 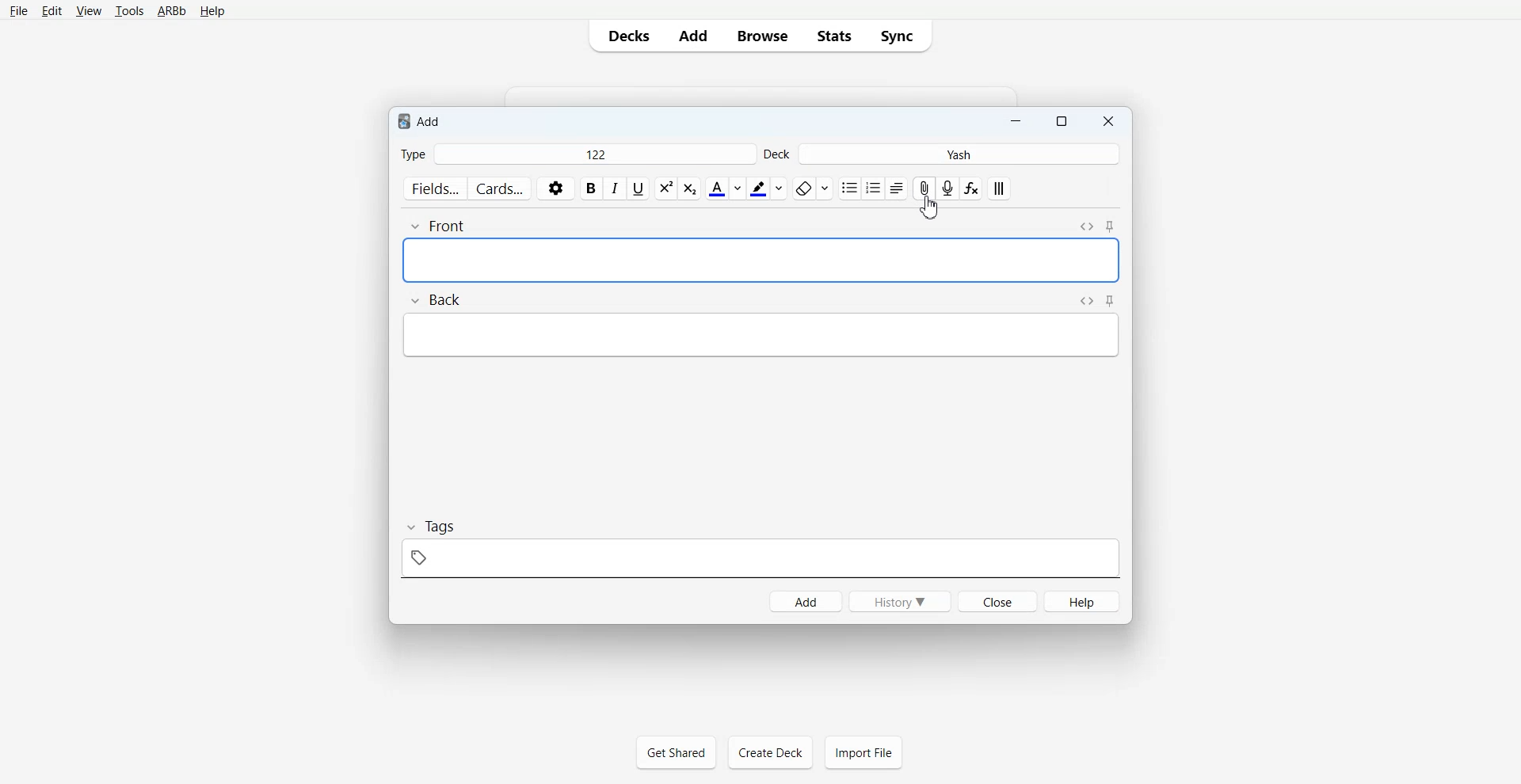 What do you see at coordinates (899, 600) in the screenshot?
I see `History` at bounding box center [899, 600].